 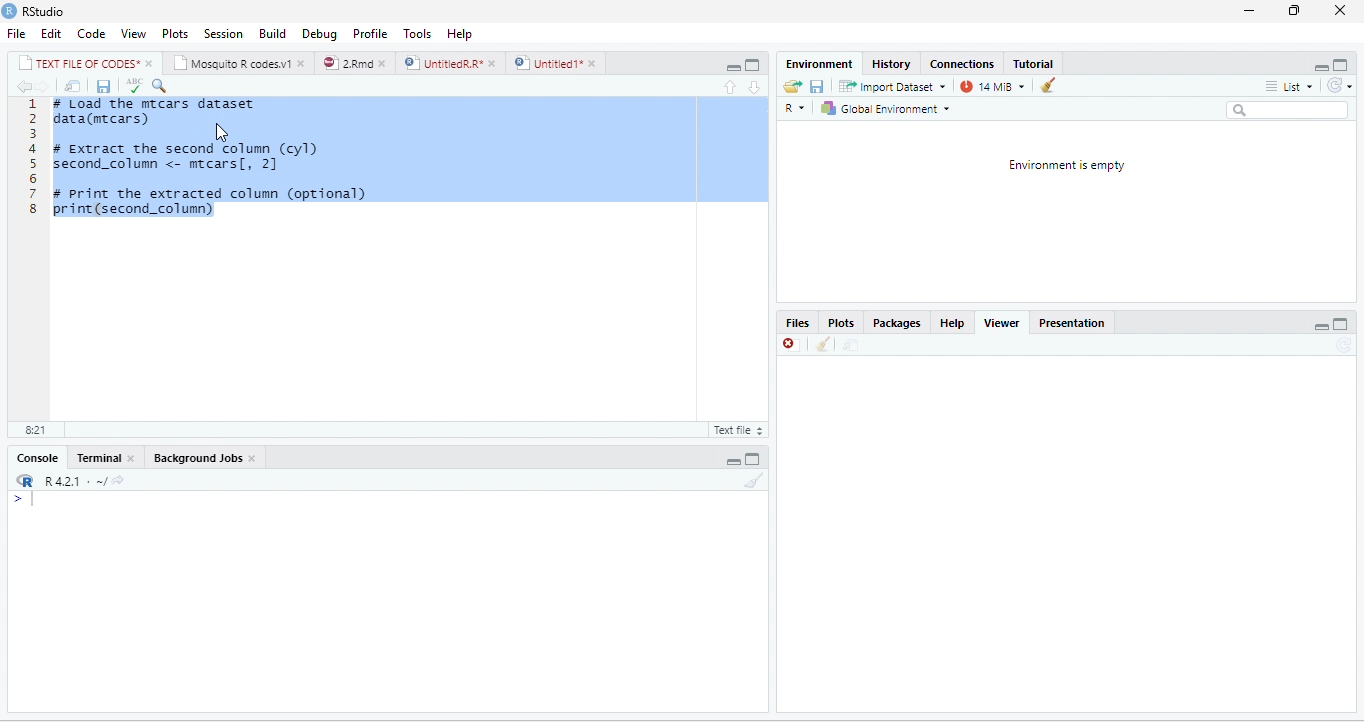 What do you see at coordinates (1047, 85) in the screenshot?
I see `clear` at bounding box center [1047, 85].